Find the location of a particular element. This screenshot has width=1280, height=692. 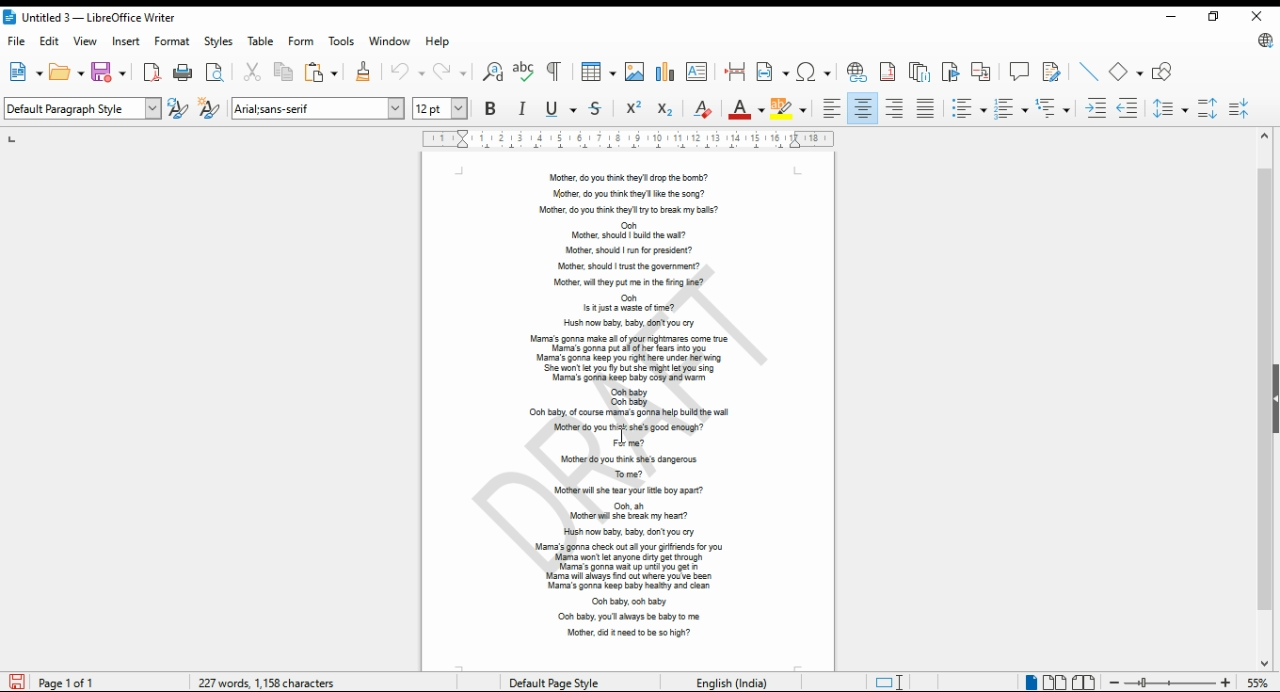

minimize is located at coordinates (1173, 16).